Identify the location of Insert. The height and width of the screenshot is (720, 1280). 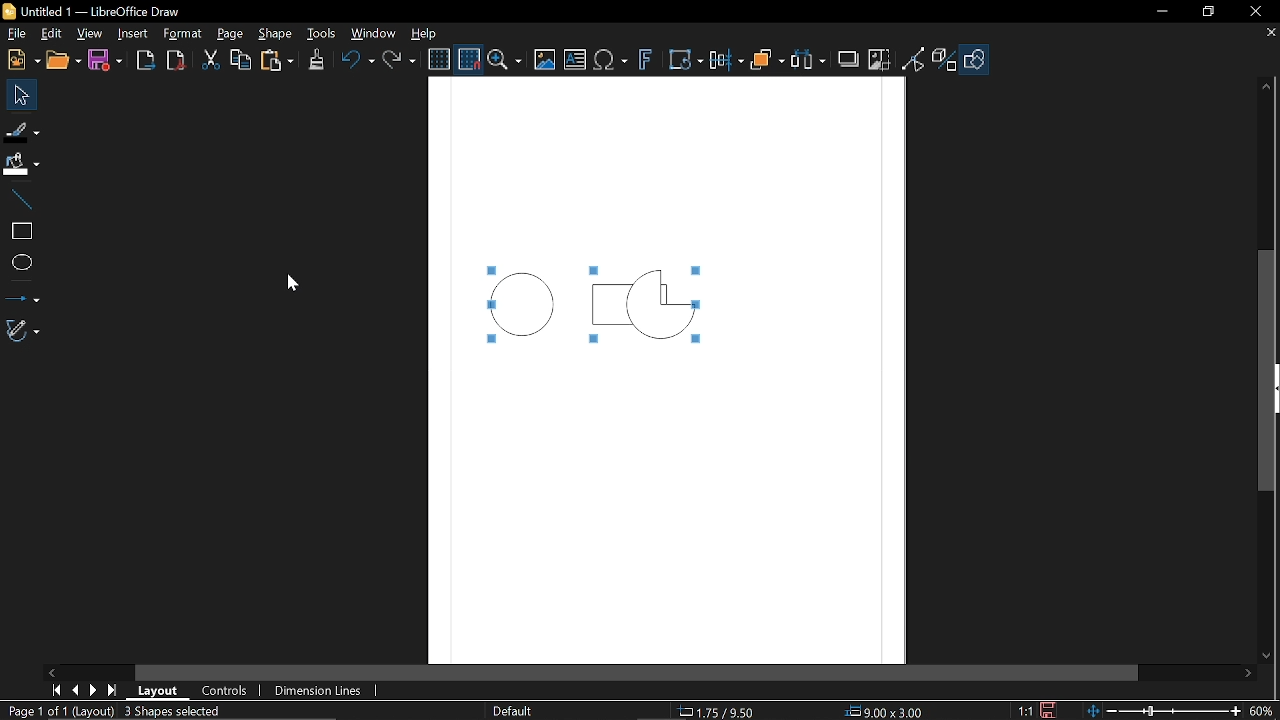
(131, 35).